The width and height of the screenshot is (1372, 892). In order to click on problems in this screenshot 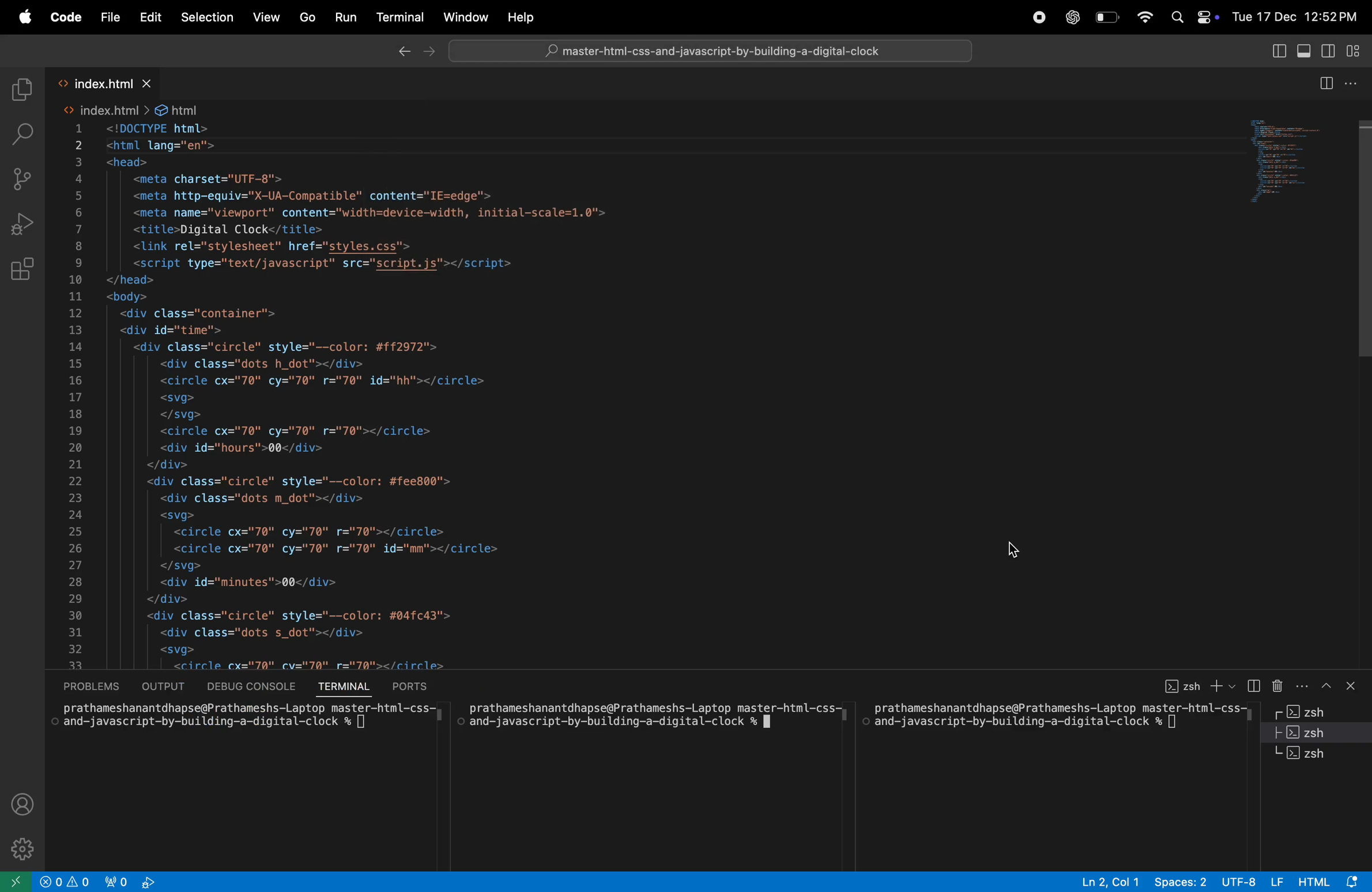, I will do `click(91, 687)`.